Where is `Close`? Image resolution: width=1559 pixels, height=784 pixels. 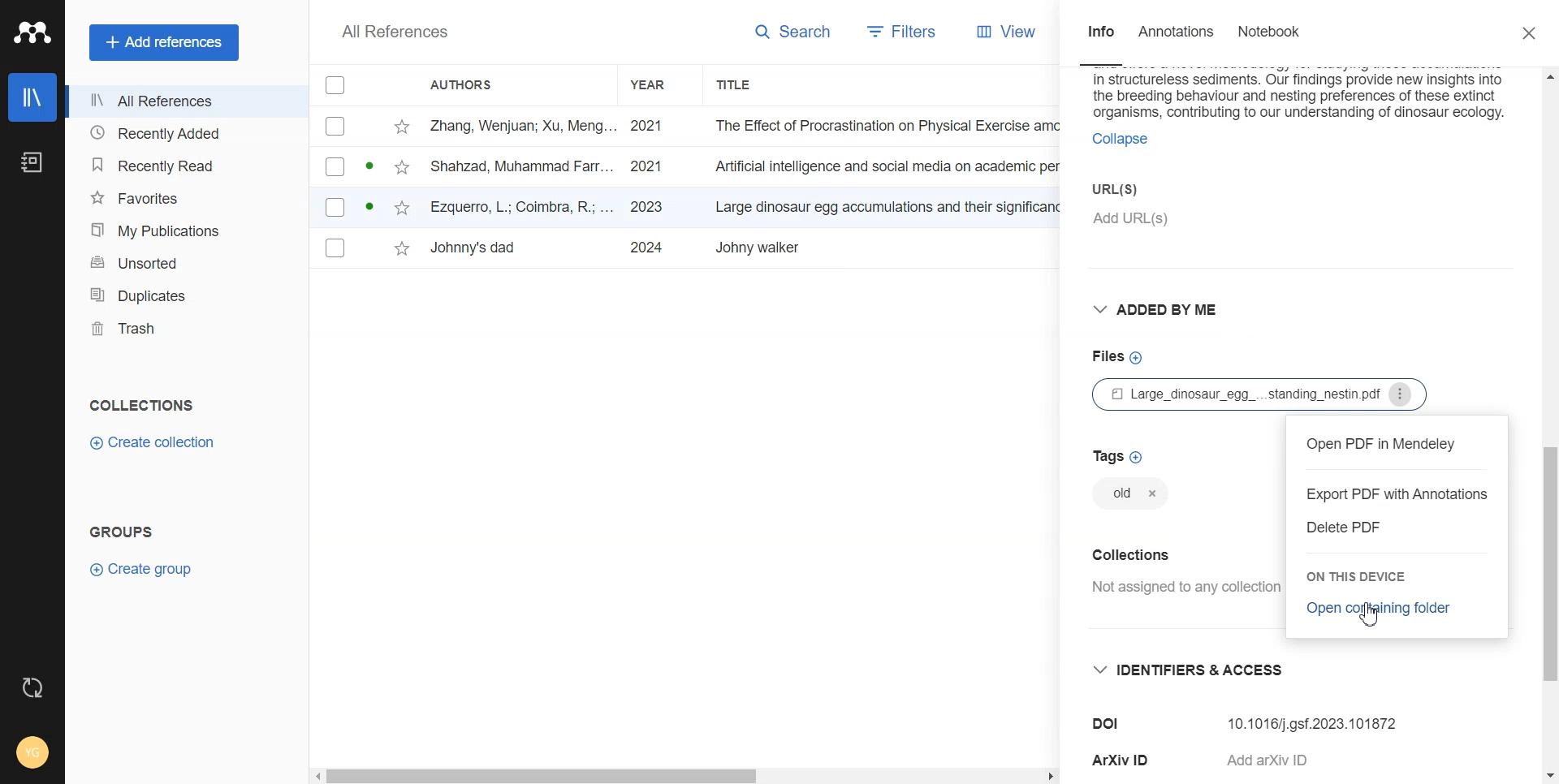 Close is located at coordinates (1532, 34).